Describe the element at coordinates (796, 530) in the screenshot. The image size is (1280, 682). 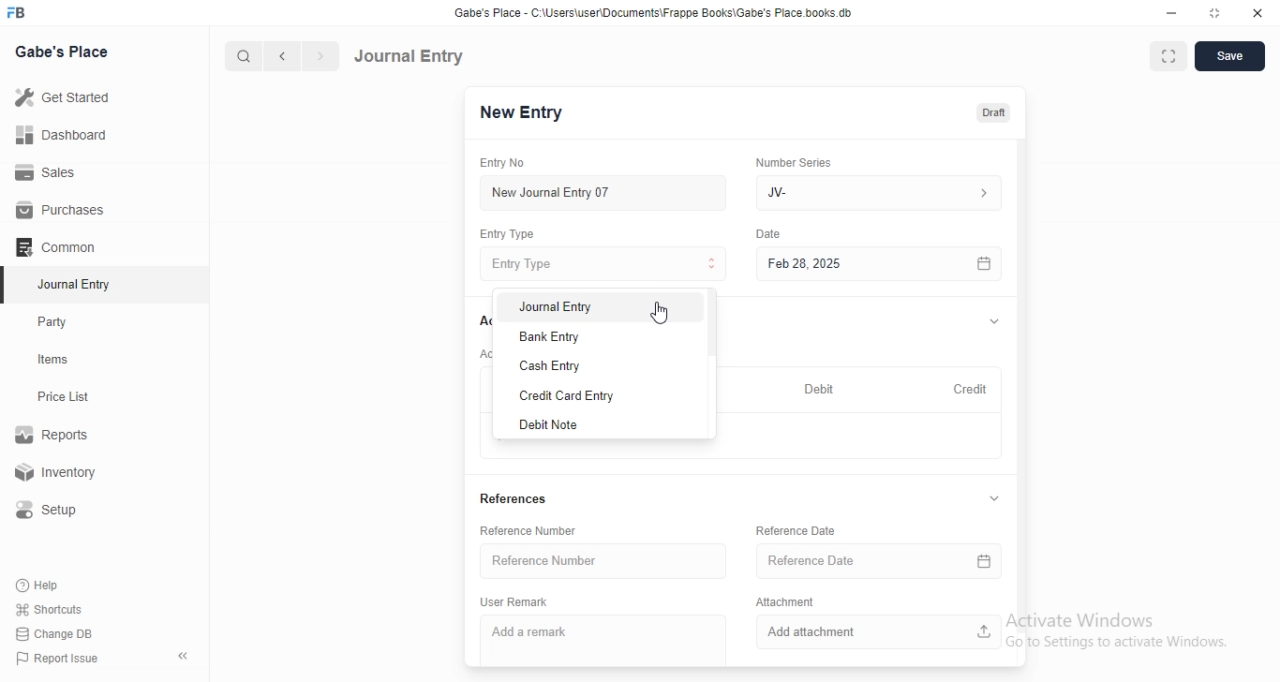
I see `‘Reference Date` at that location.